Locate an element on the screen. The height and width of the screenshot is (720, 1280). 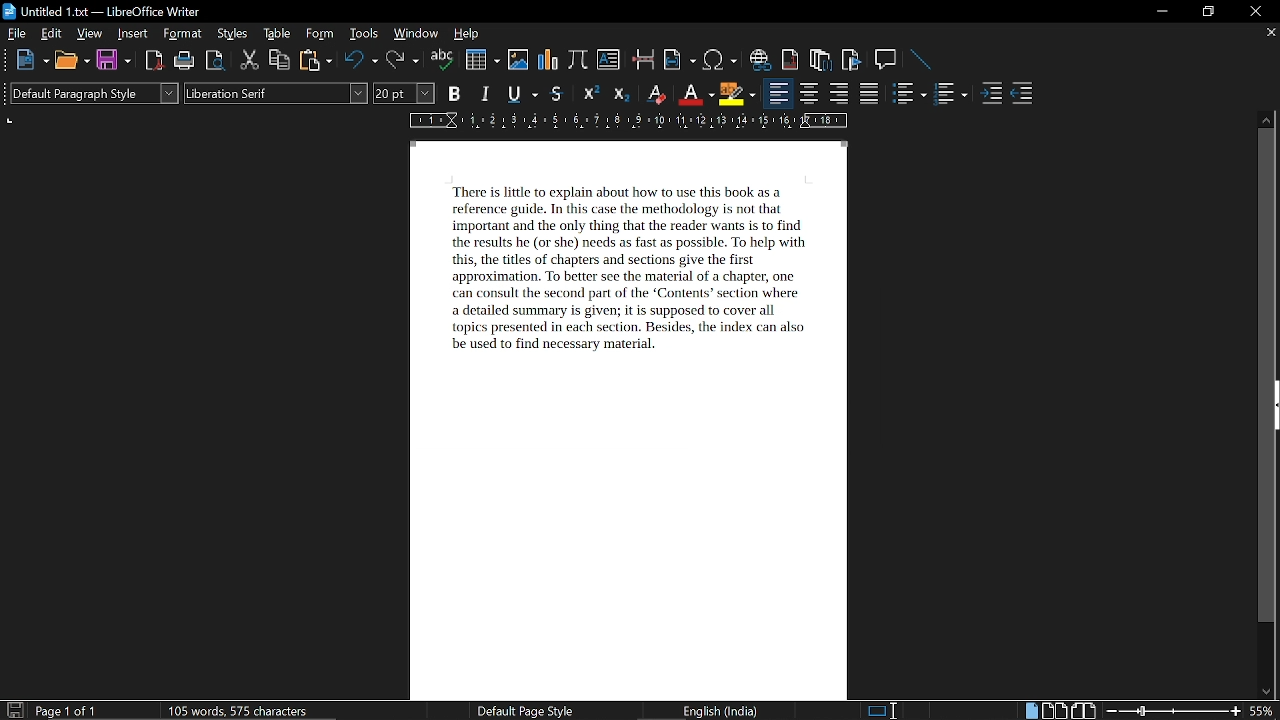
insert text is located at coordinates (609, 60).